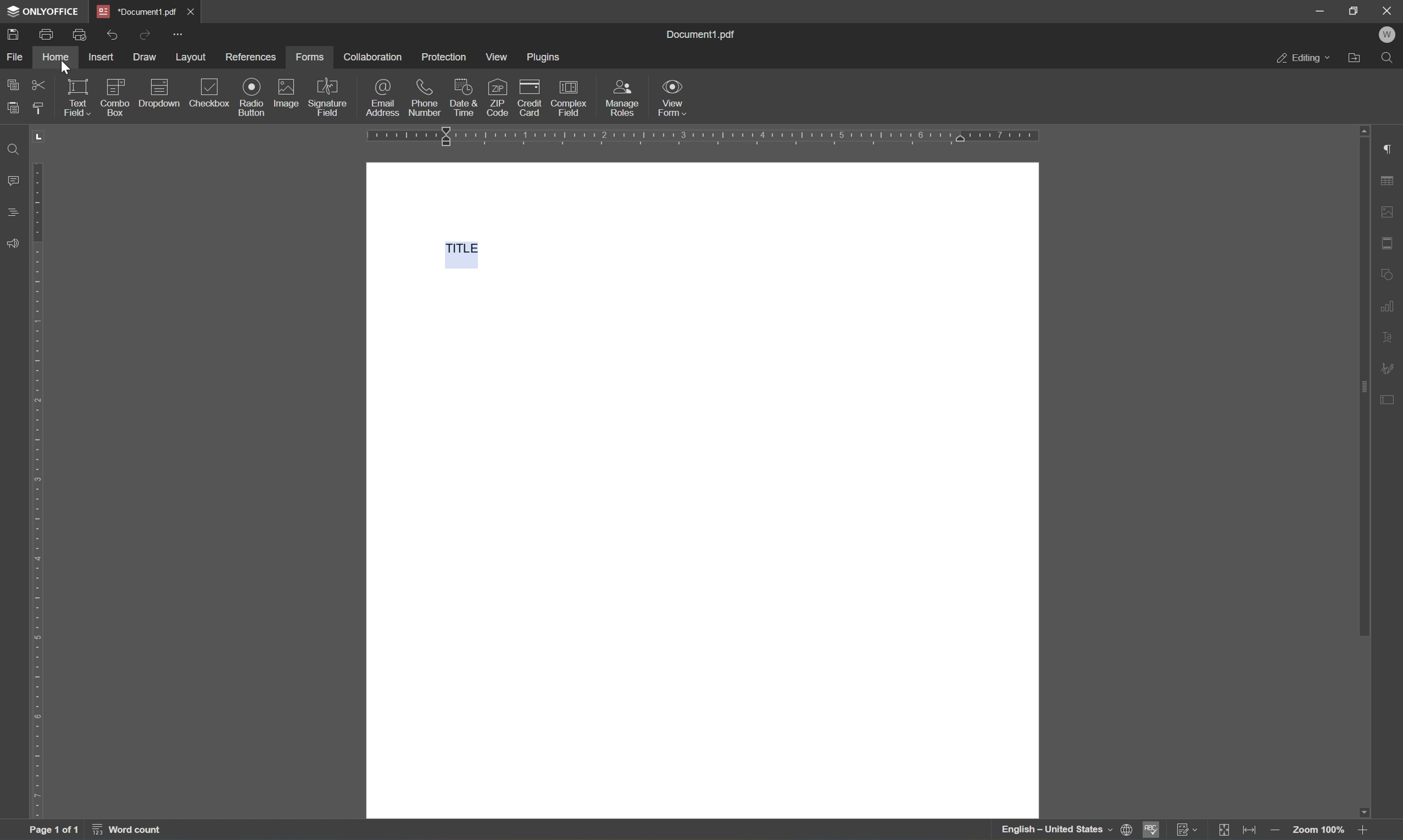 The image size is (1403, 840). I want to click on close, so click(190, 11).